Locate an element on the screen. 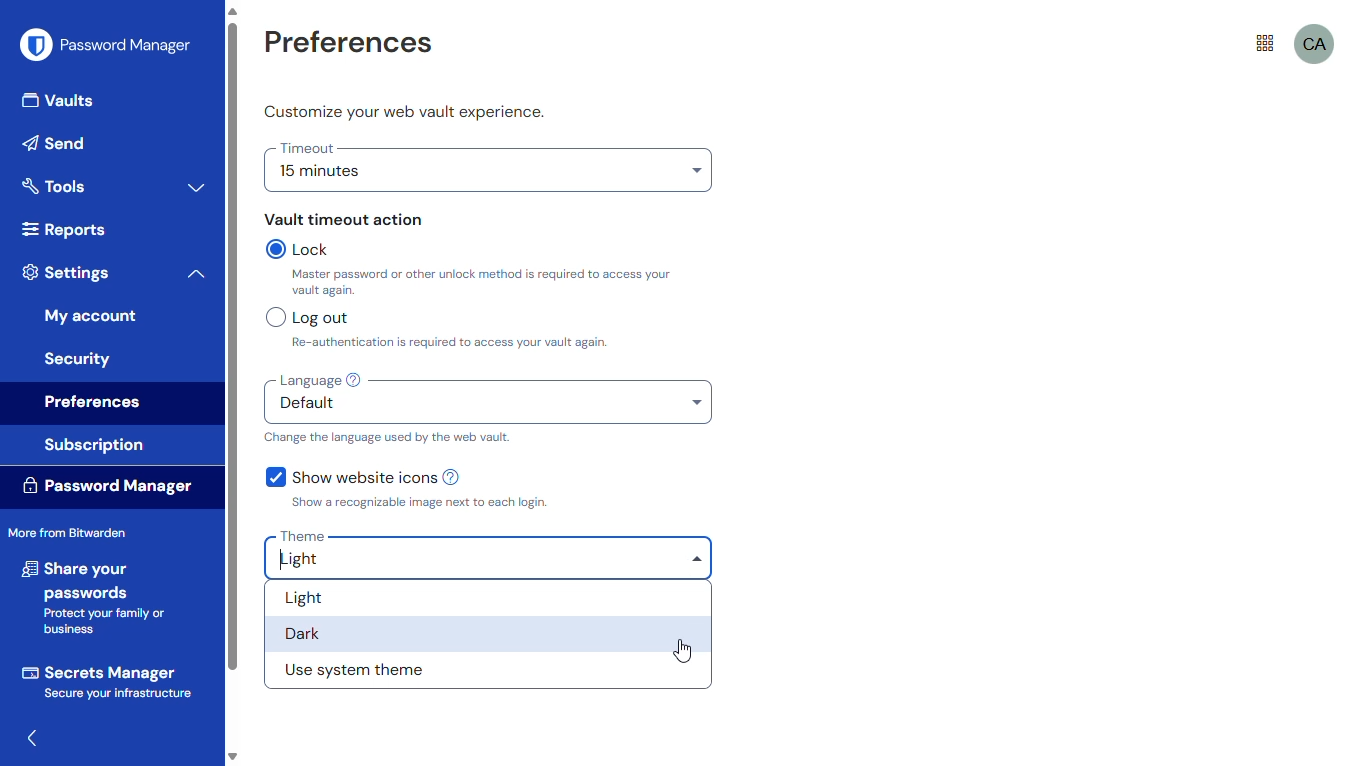 Image resolution: width=1366 pixels, height=766 pixels. password manager is located at coordinates (107, 44).